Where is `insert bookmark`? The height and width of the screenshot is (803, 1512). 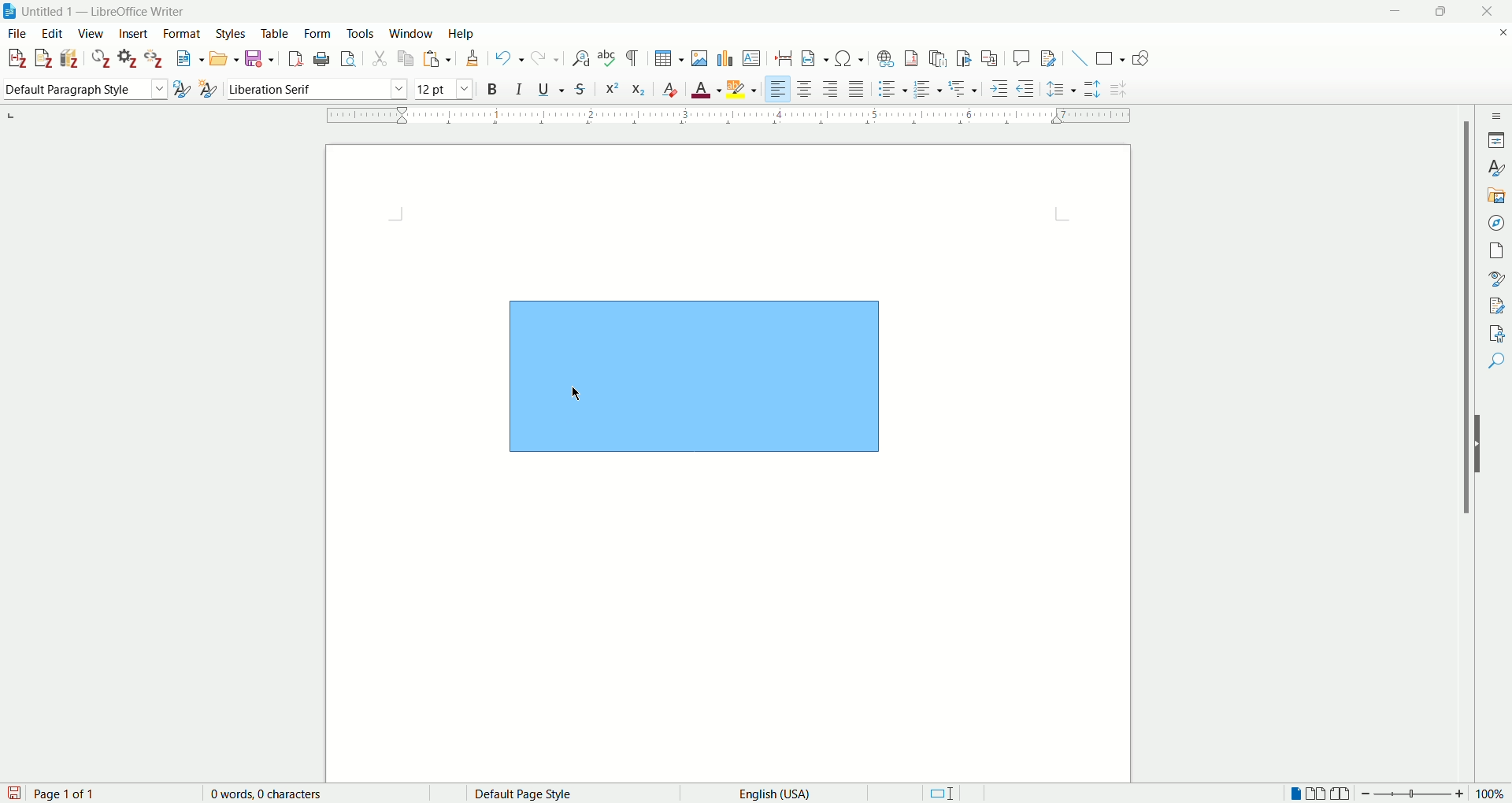 insert bookmark is located at coordinates (963, 58).